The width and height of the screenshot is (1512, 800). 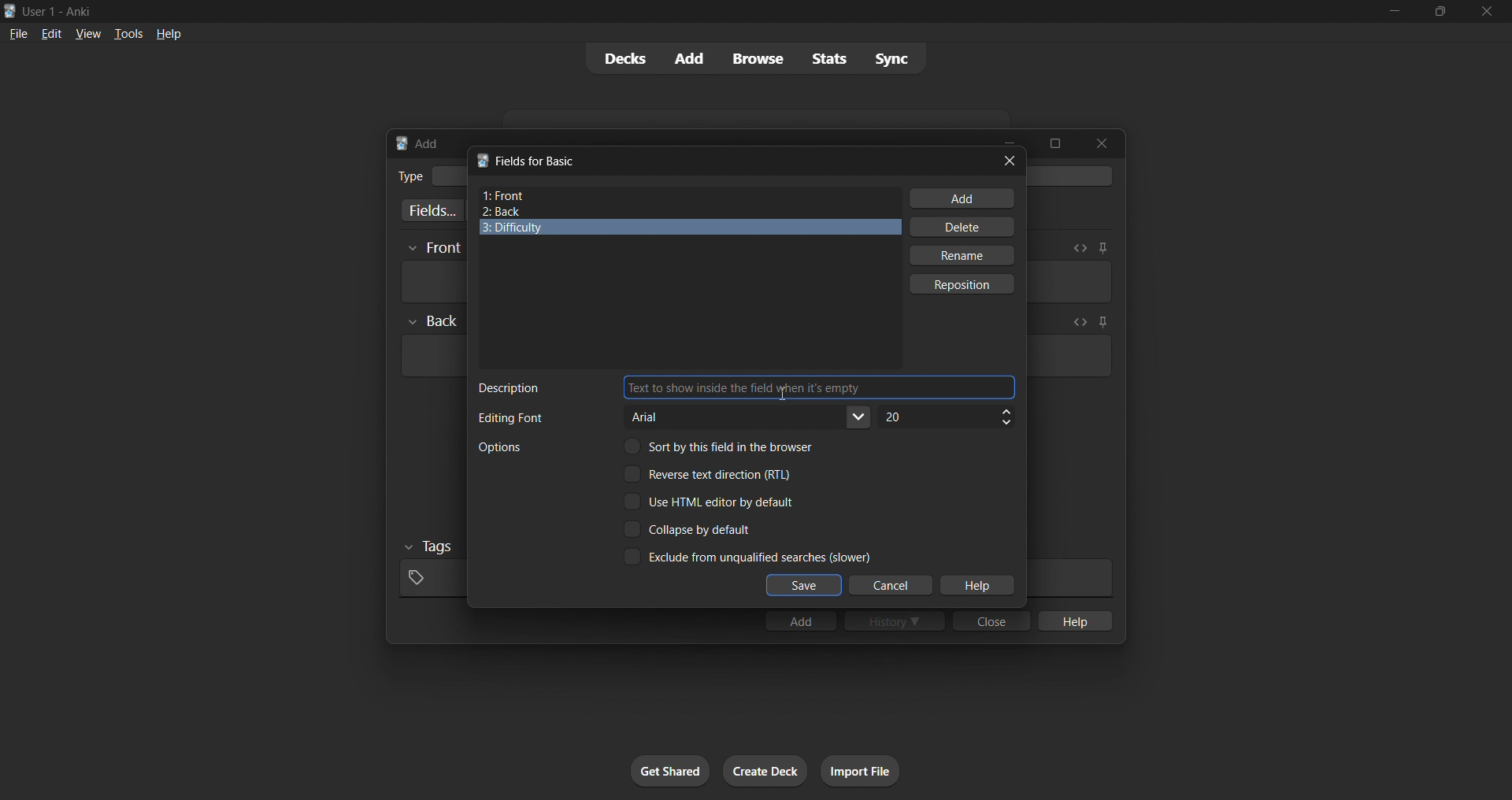 What do you see at coordinates (169, 34) in the screenshot?
I see `help` at bounding box center [169, 34].